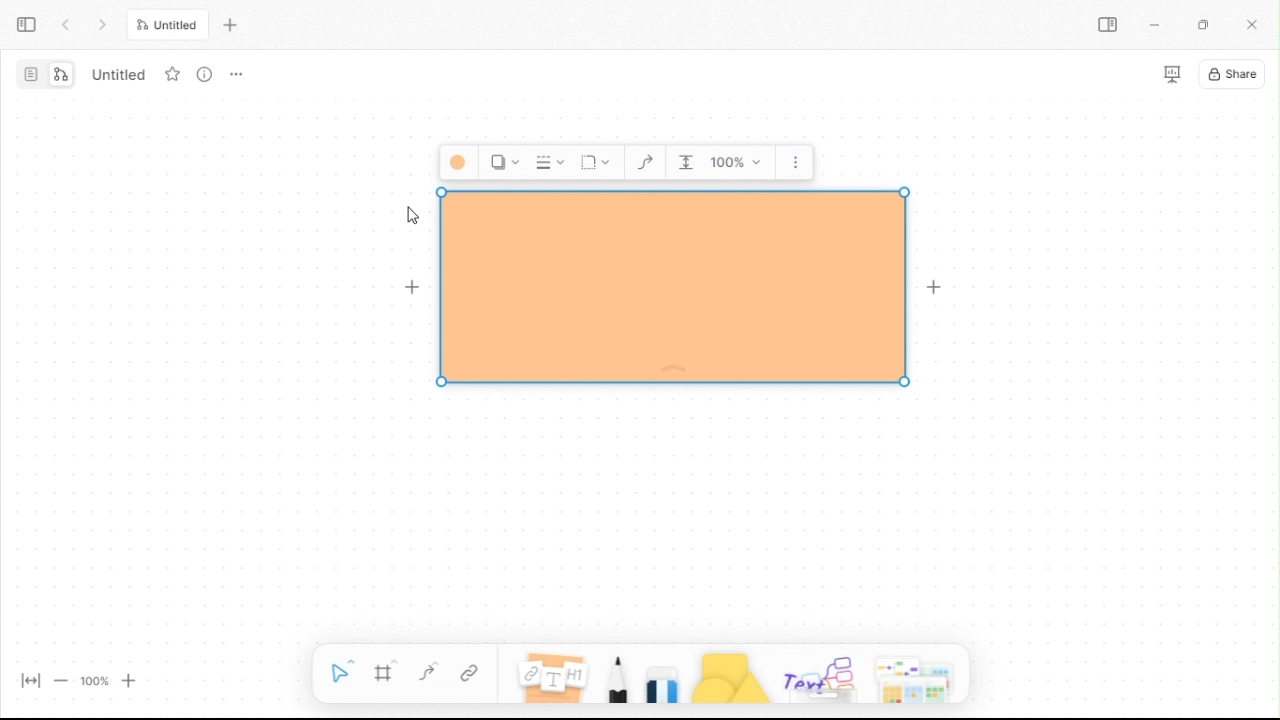  What do you see at coordinates (412, 288) in the screenshot?
I see `Add` at bounding box center [412, 288].